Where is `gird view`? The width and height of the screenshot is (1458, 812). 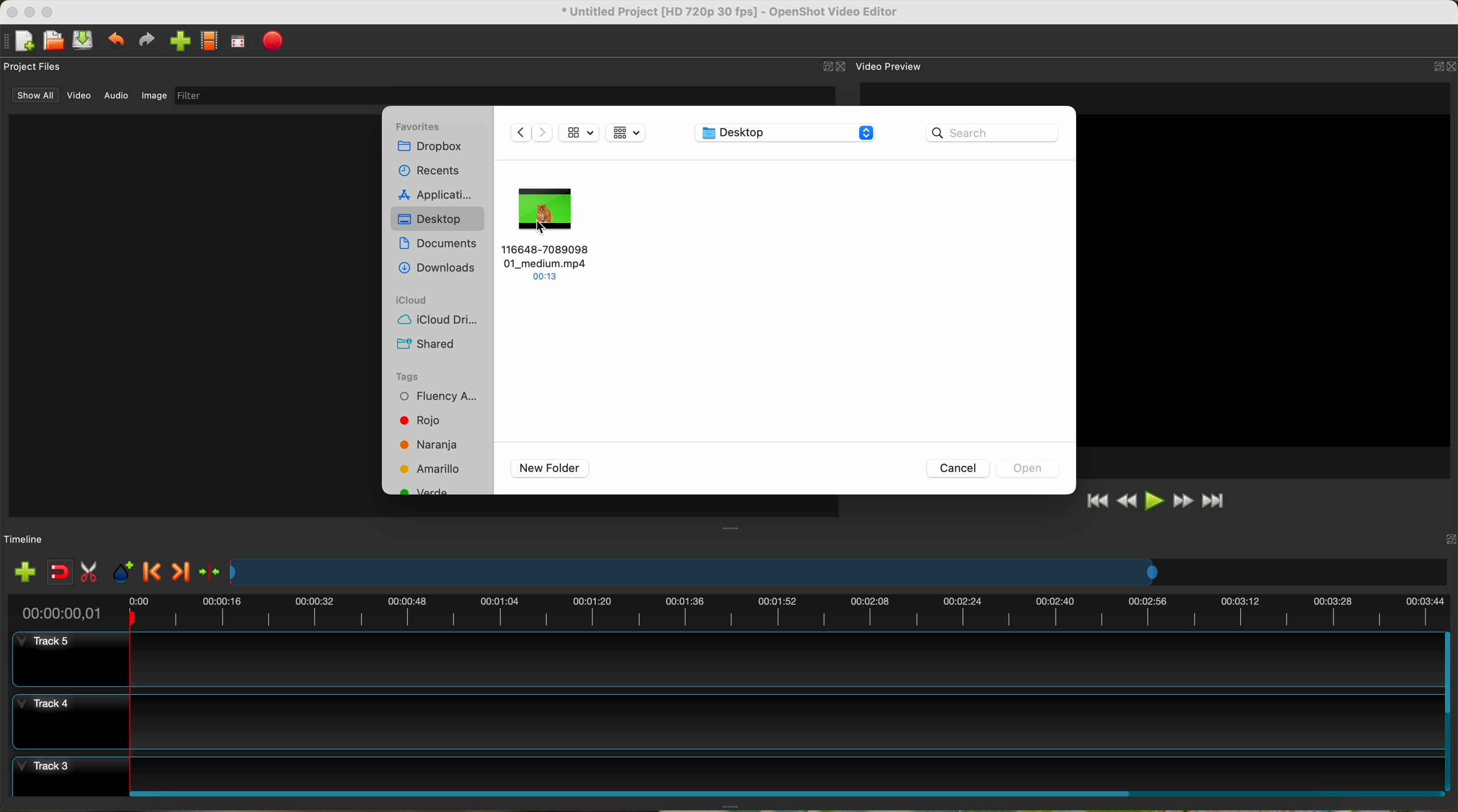 gird view is located at coordinates (580, 131).